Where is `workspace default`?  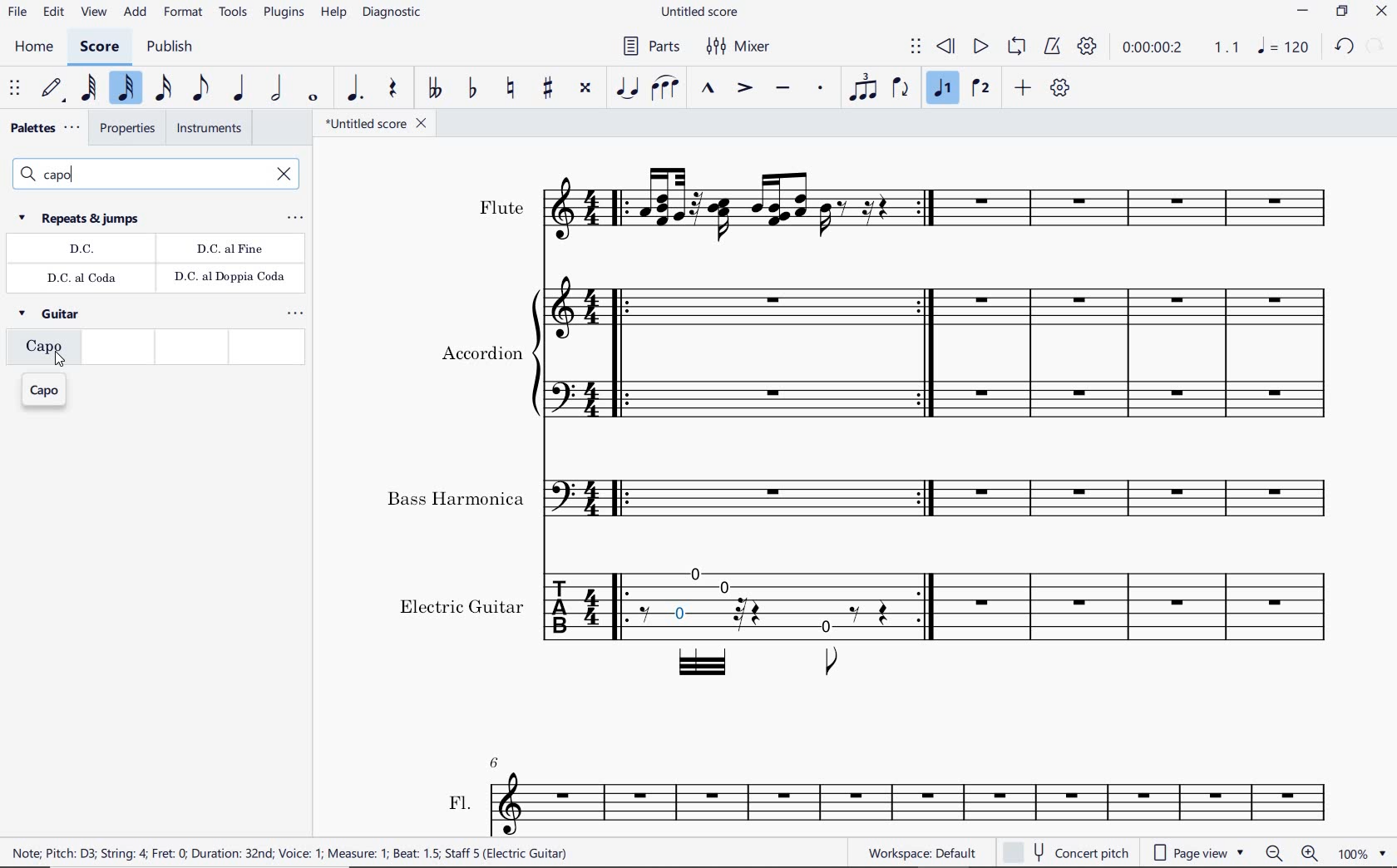
workspace default is located at coordinates (923, 852).